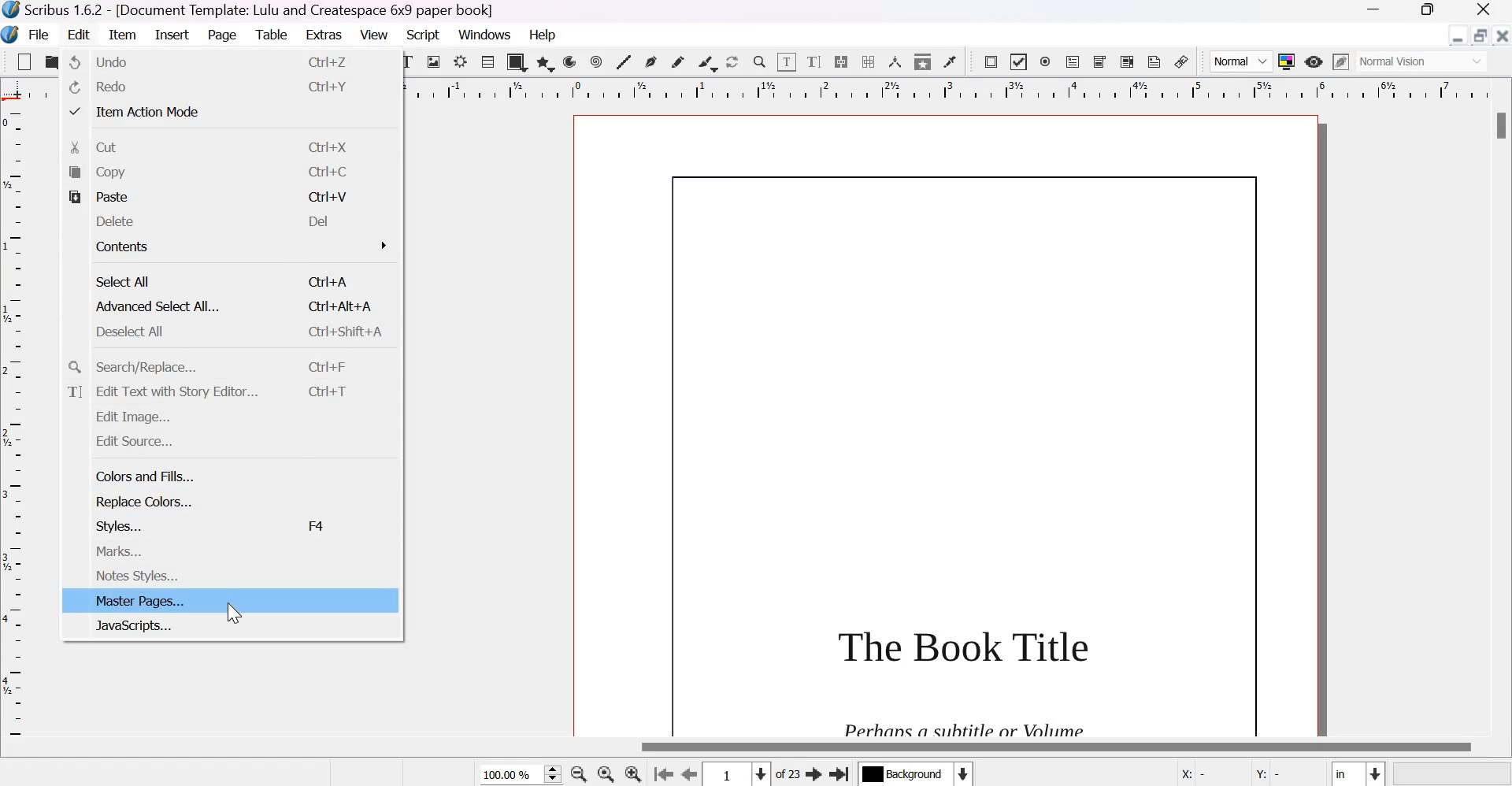 The image size is (1512, 786). What do you see at coordinates (72, 87) in the screenshot?
I see `redo icon` at bounding box center [72, 87].